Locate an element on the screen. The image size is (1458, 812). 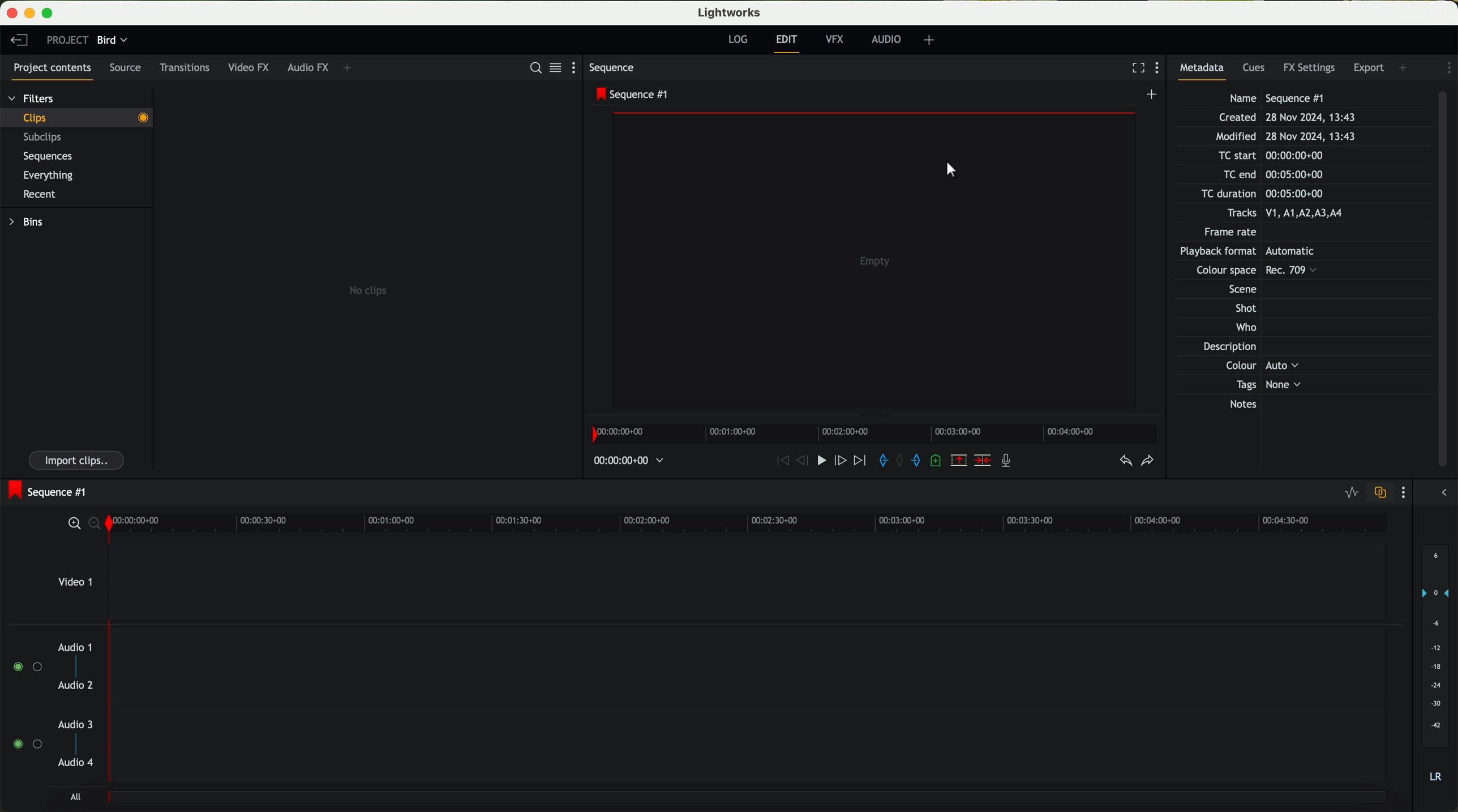
Rec. 709 is located at coordinates (1270, 269).